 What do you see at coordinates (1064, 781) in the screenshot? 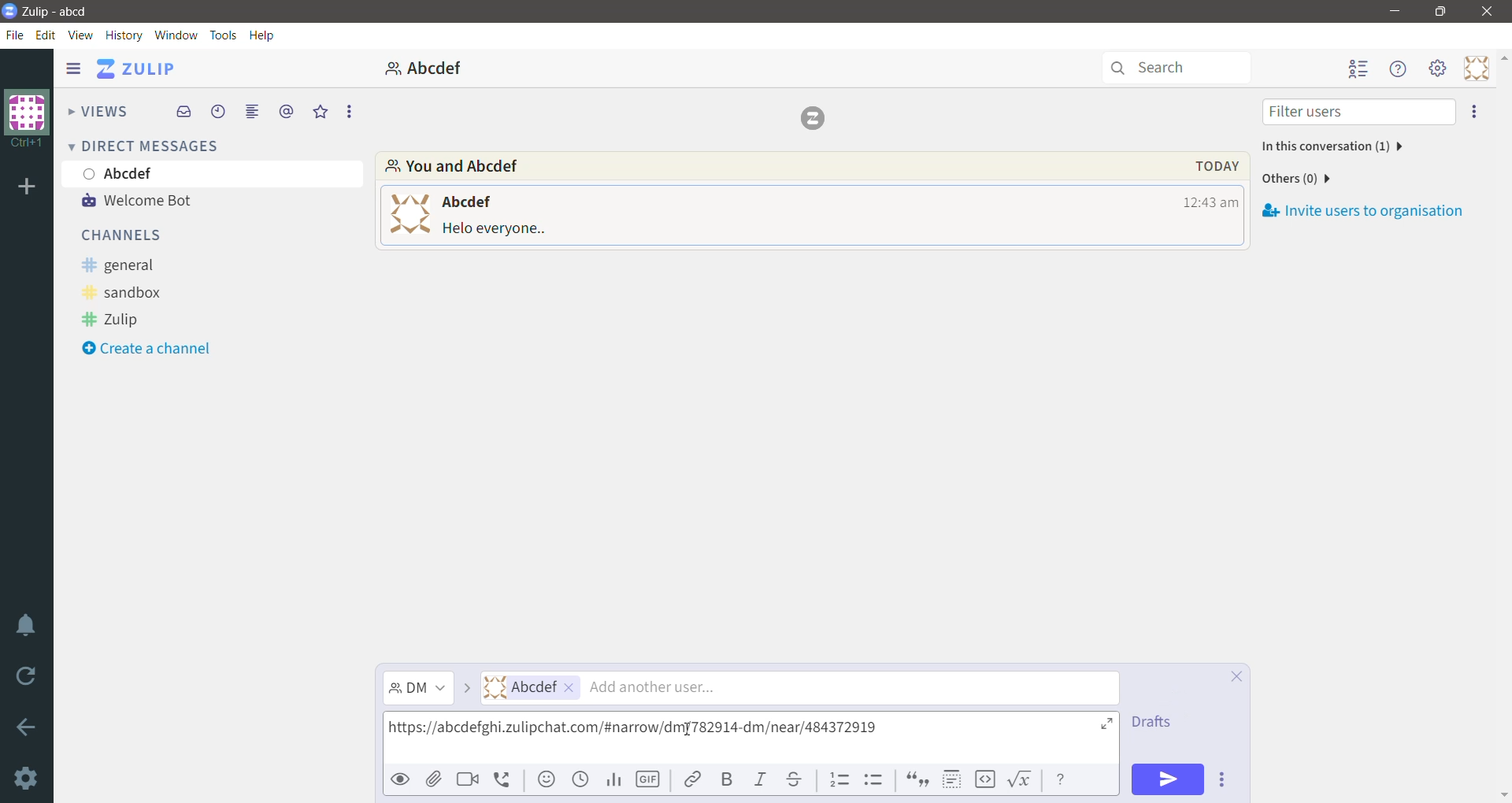
I see `Message Formatting` at bounding box center [1064, 781].